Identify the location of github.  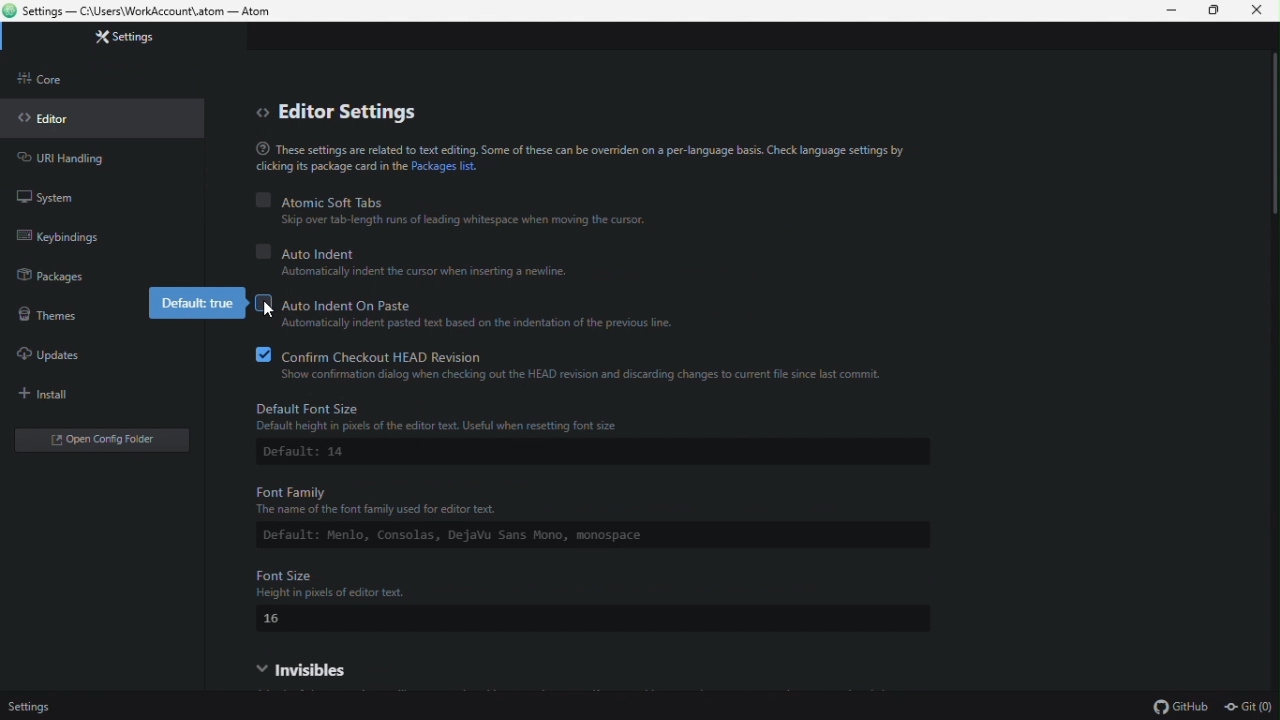
(1182, 707).